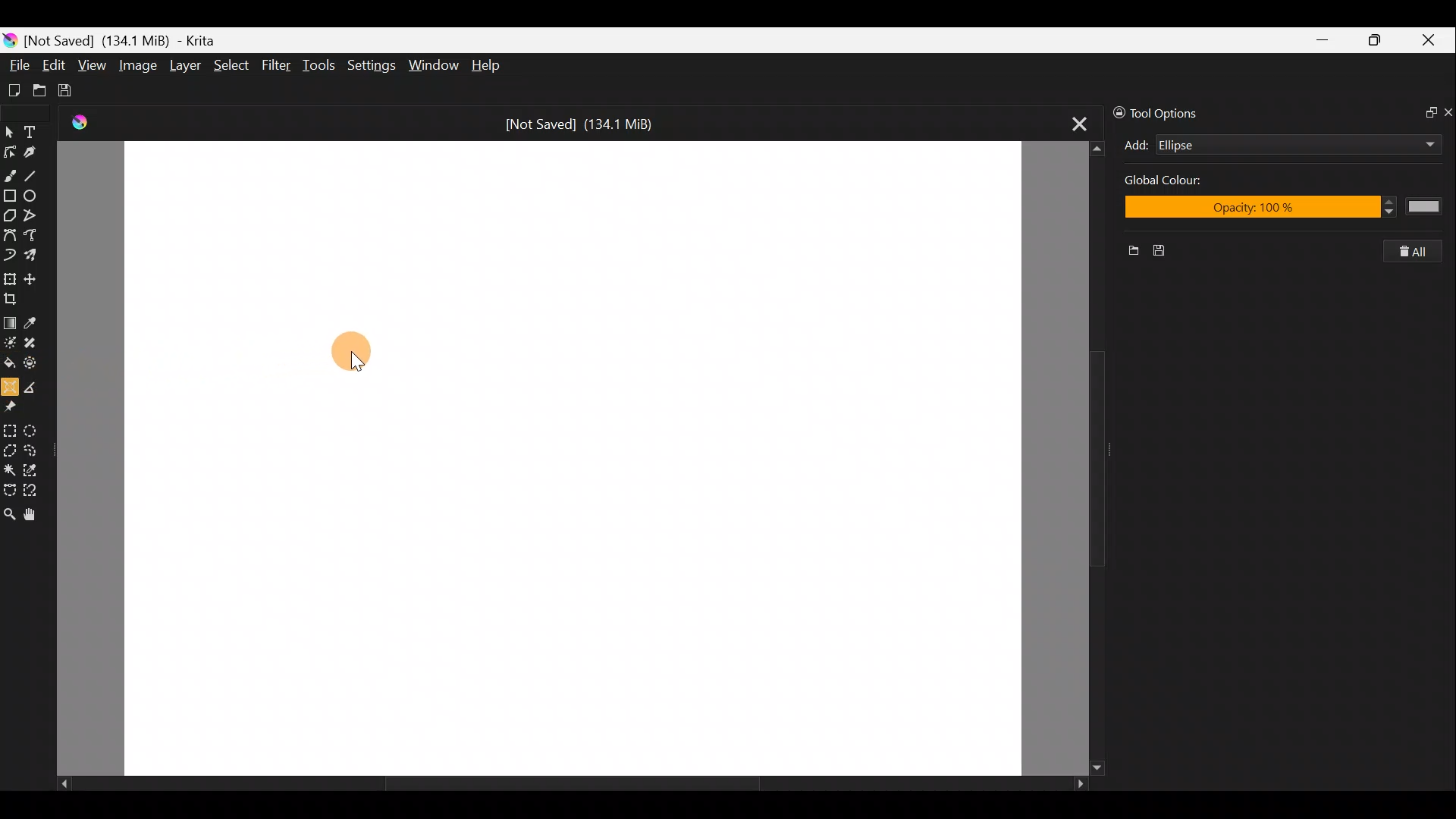 The width and height of the screenshot is (1456, 819). I want to click on Similar color selection tool, so click(37, 468).